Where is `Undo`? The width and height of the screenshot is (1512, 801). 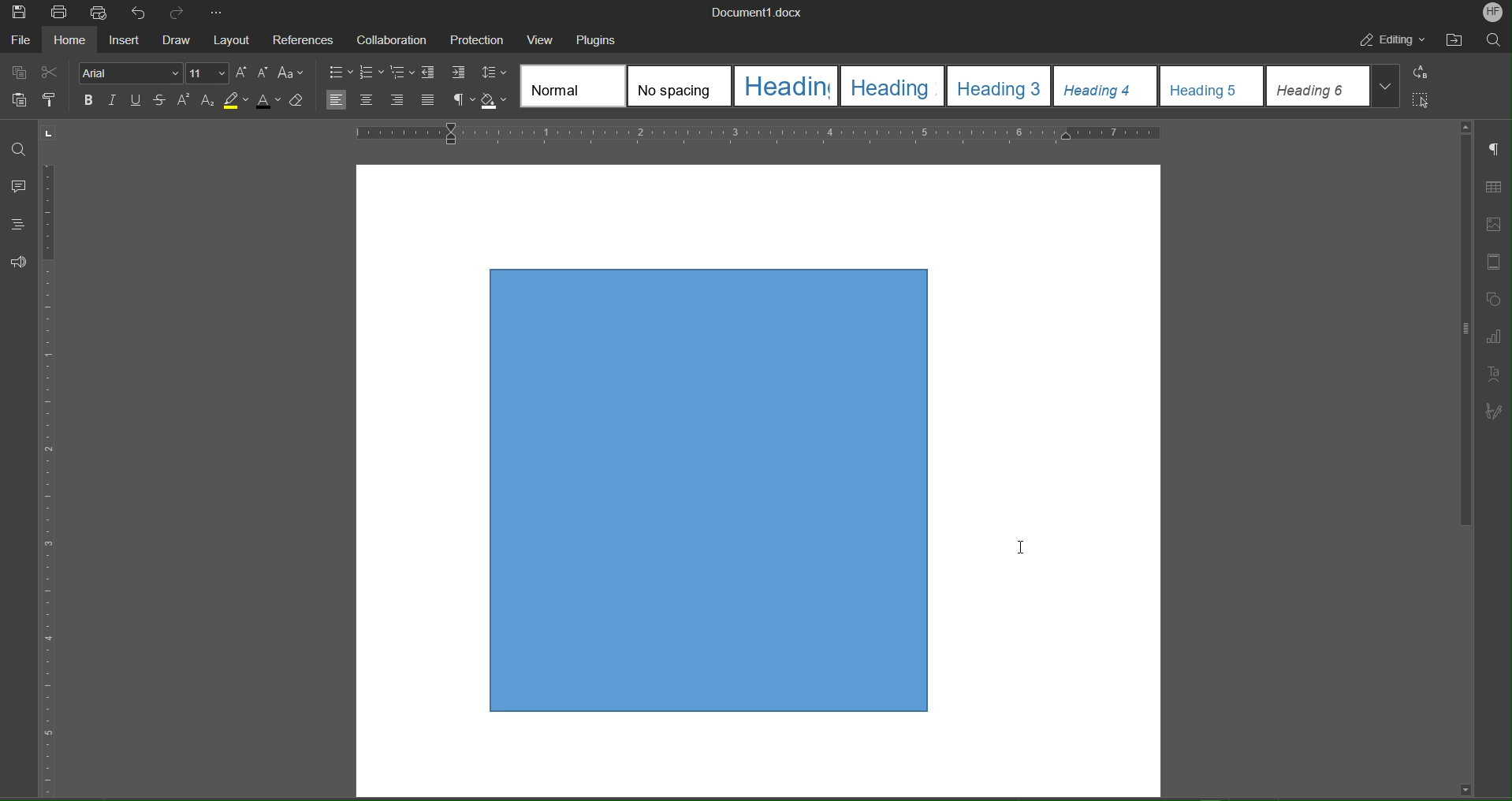 Undo is located at coordinates (140, 13).